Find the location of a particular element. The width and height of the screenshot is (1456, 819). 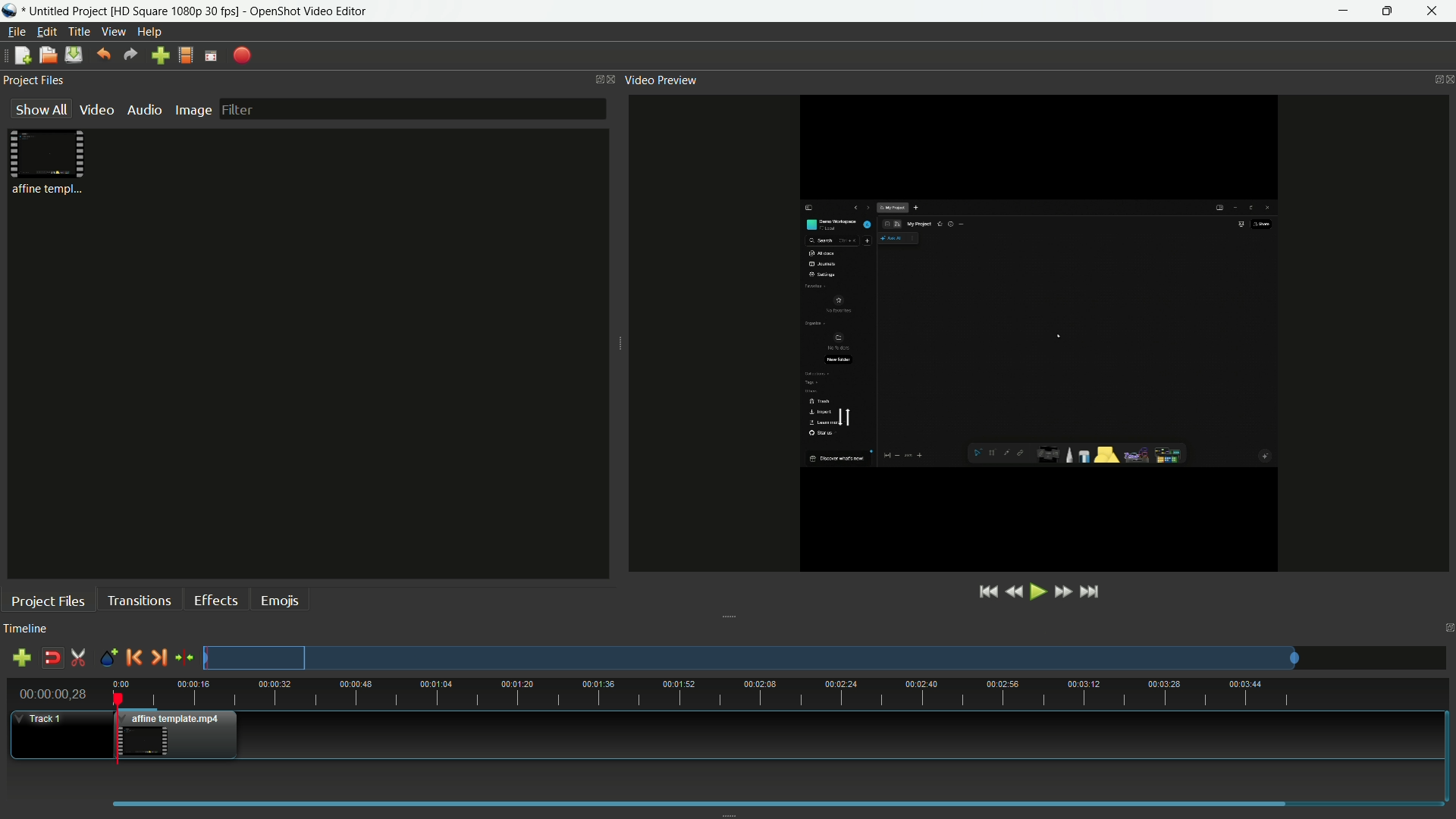

undo is located at coordinates (103, 54).